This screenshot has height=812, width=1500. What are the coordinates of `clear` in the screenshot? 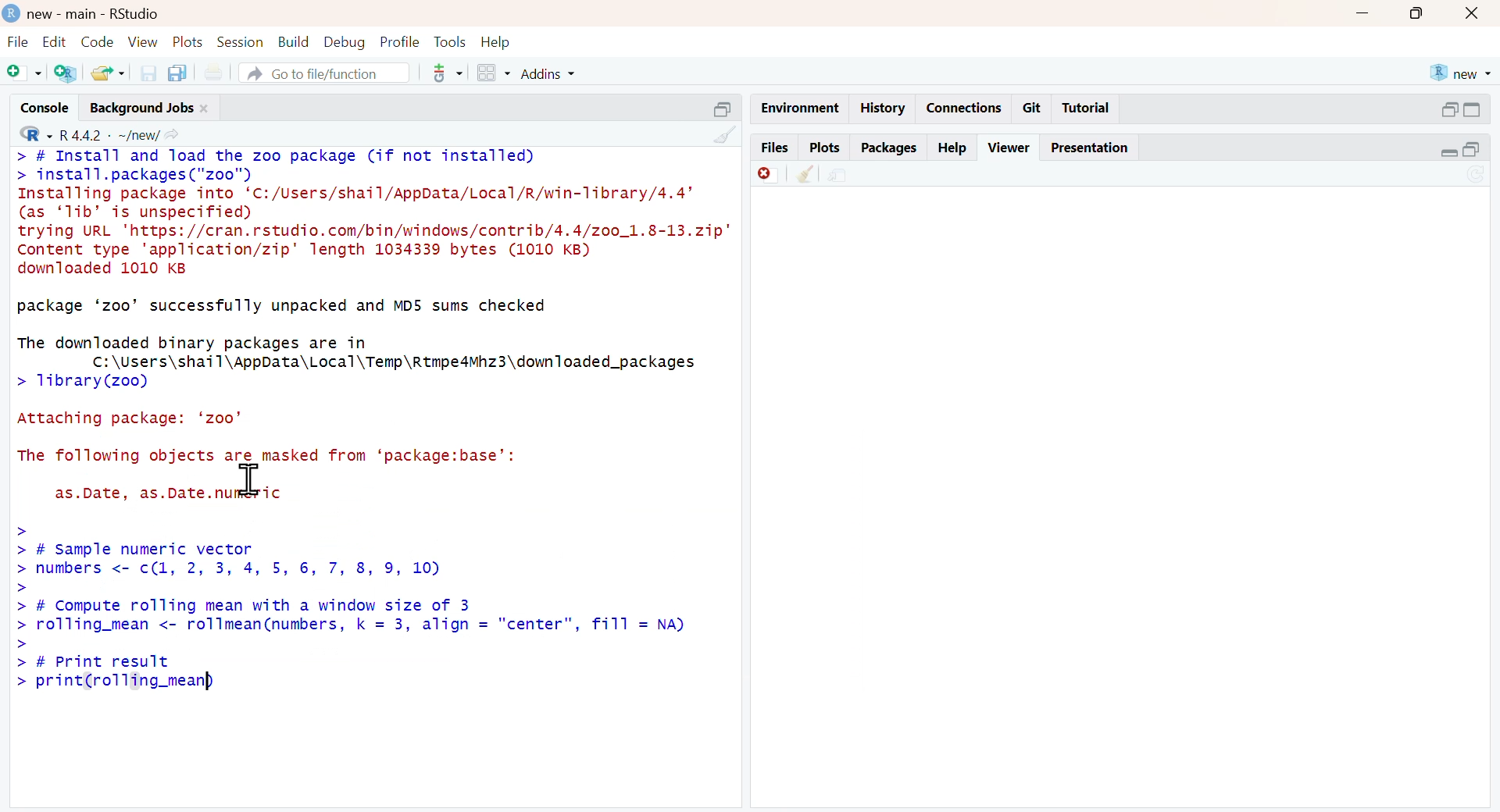 It's located at (808, 173).